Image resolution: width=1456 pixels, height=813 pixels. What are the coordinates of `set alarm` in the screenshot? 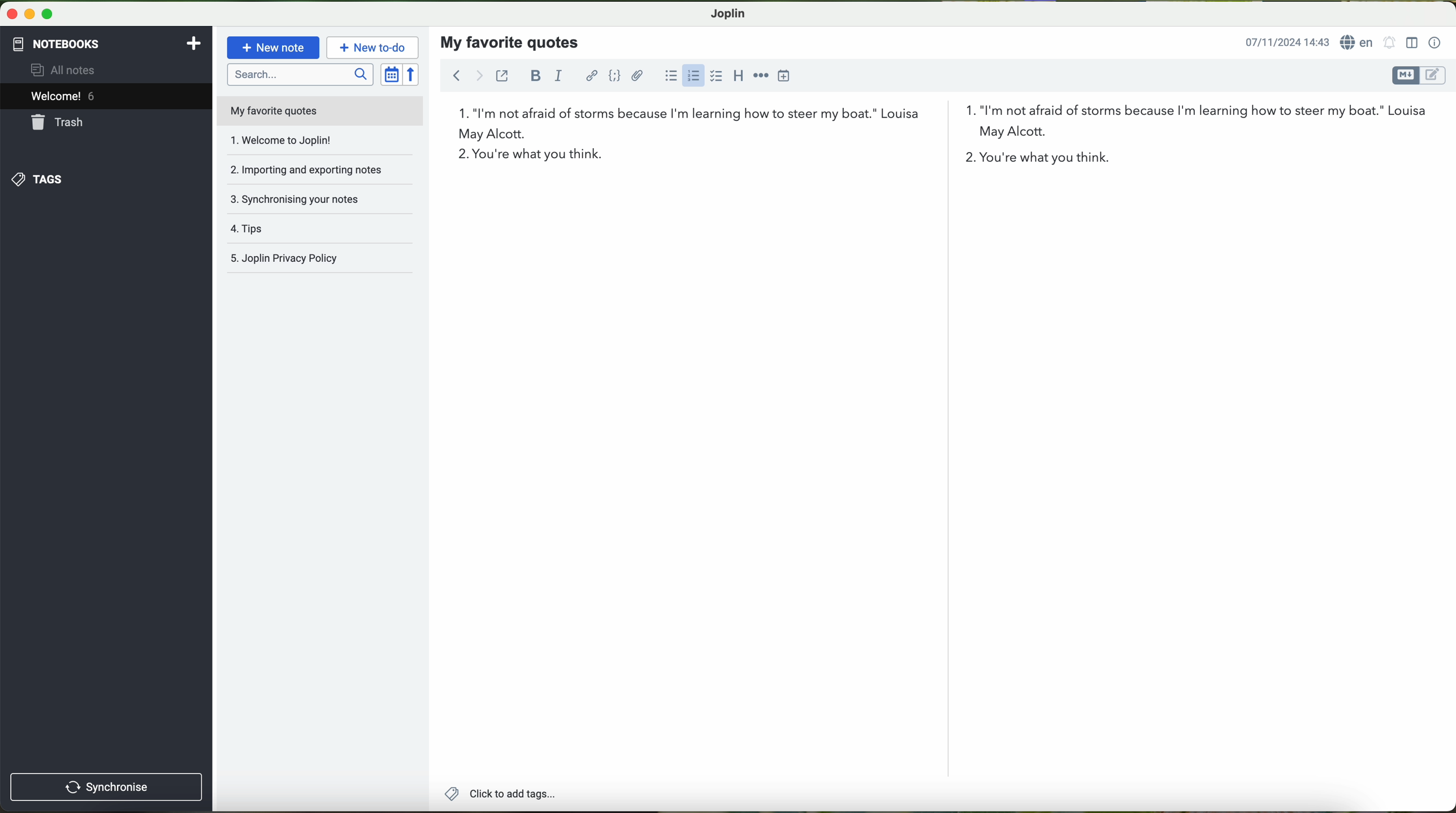 It's located at (1389, 45).